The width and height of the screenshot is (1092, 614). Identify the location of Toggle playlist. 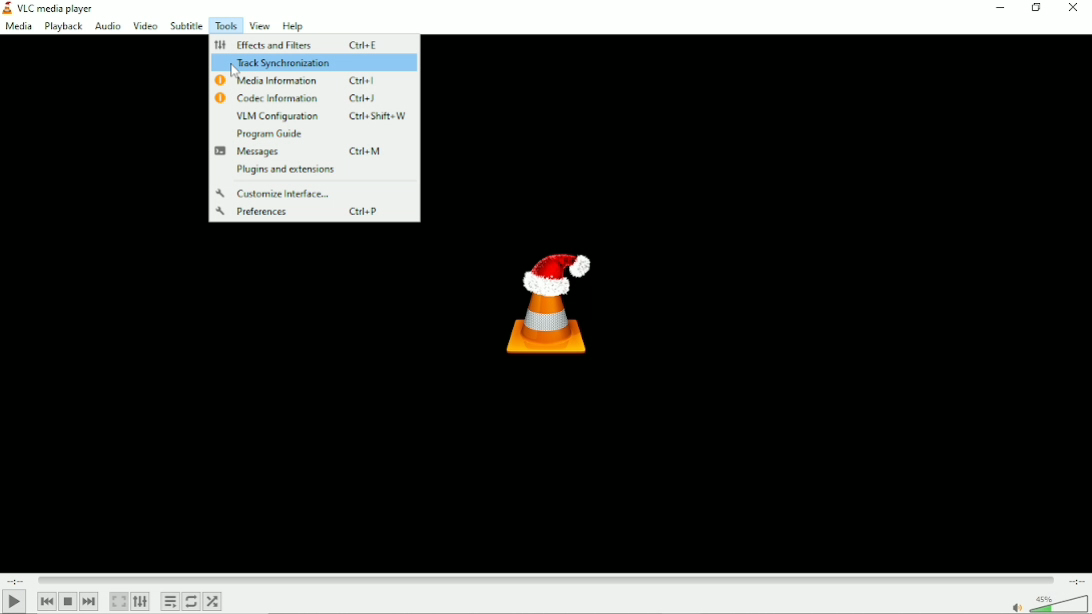
(169, 600).